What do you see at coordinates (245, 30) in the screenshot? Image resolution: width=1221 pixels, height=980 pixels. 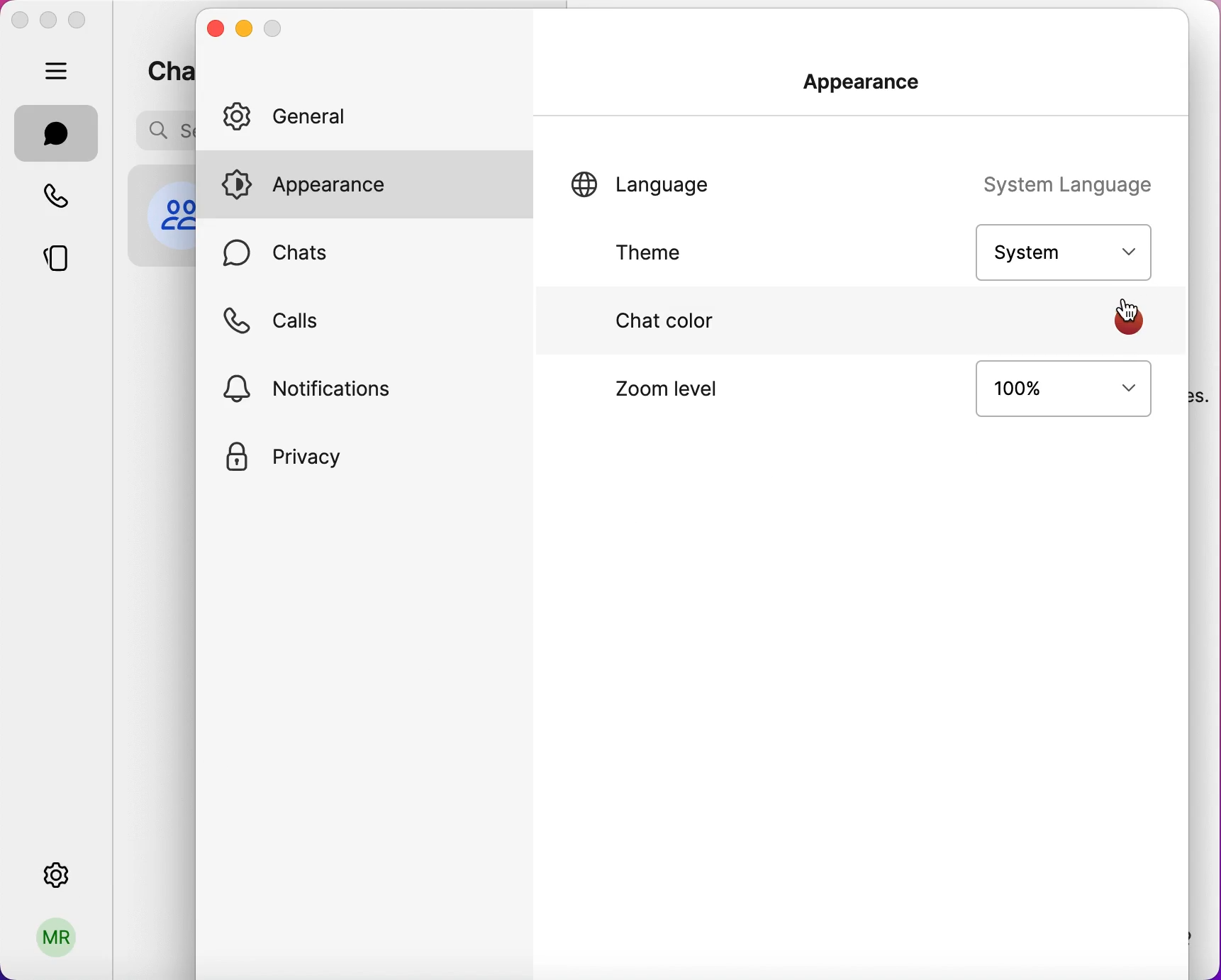 I see `minimize` at bounding box center [245, 30].